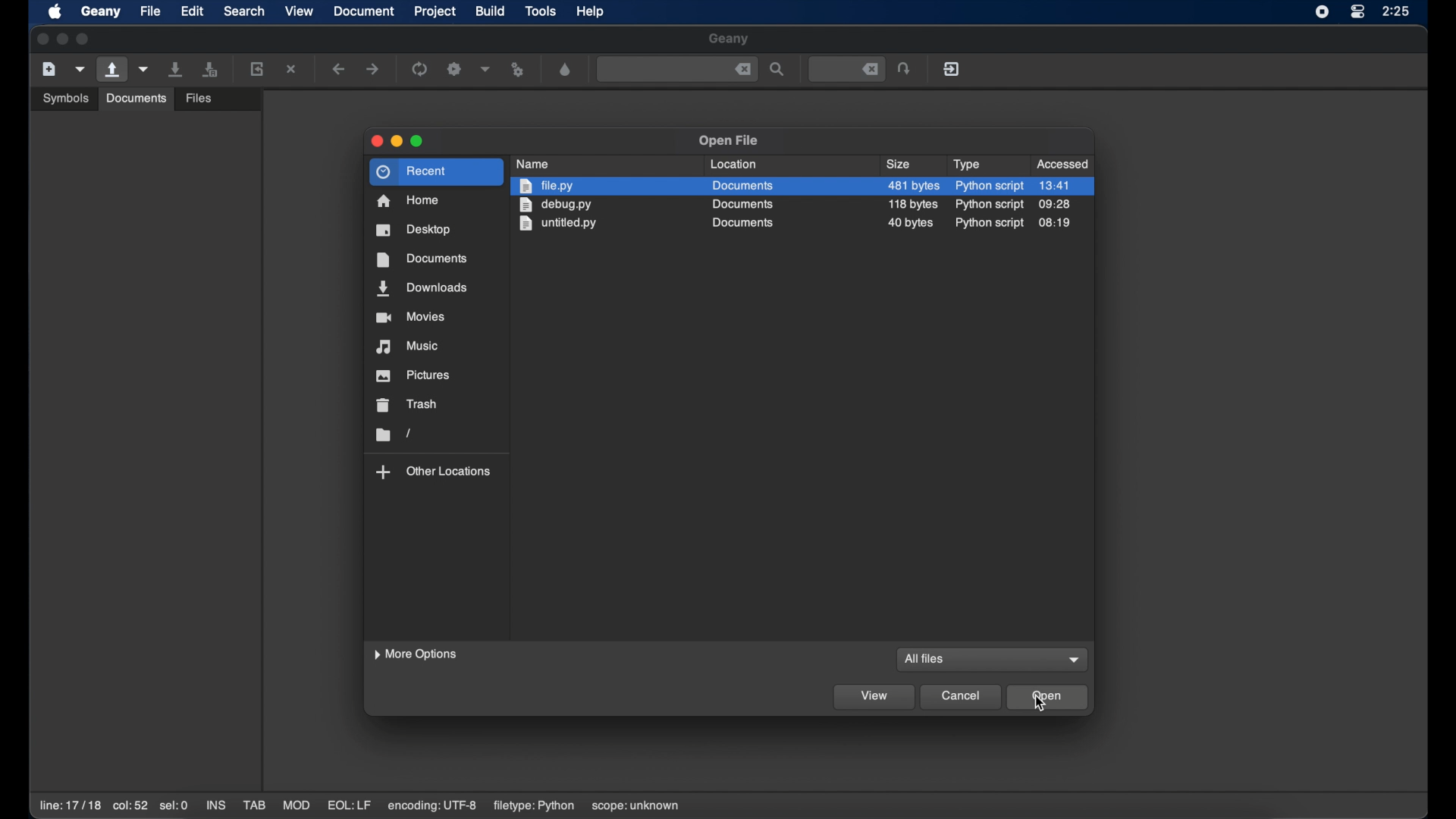 This screenshot has width=1456, height=819. What do you see at coordinates (637, 807) in the screenshot?
I see `scope: unknown` at bounding box center [637, 807].